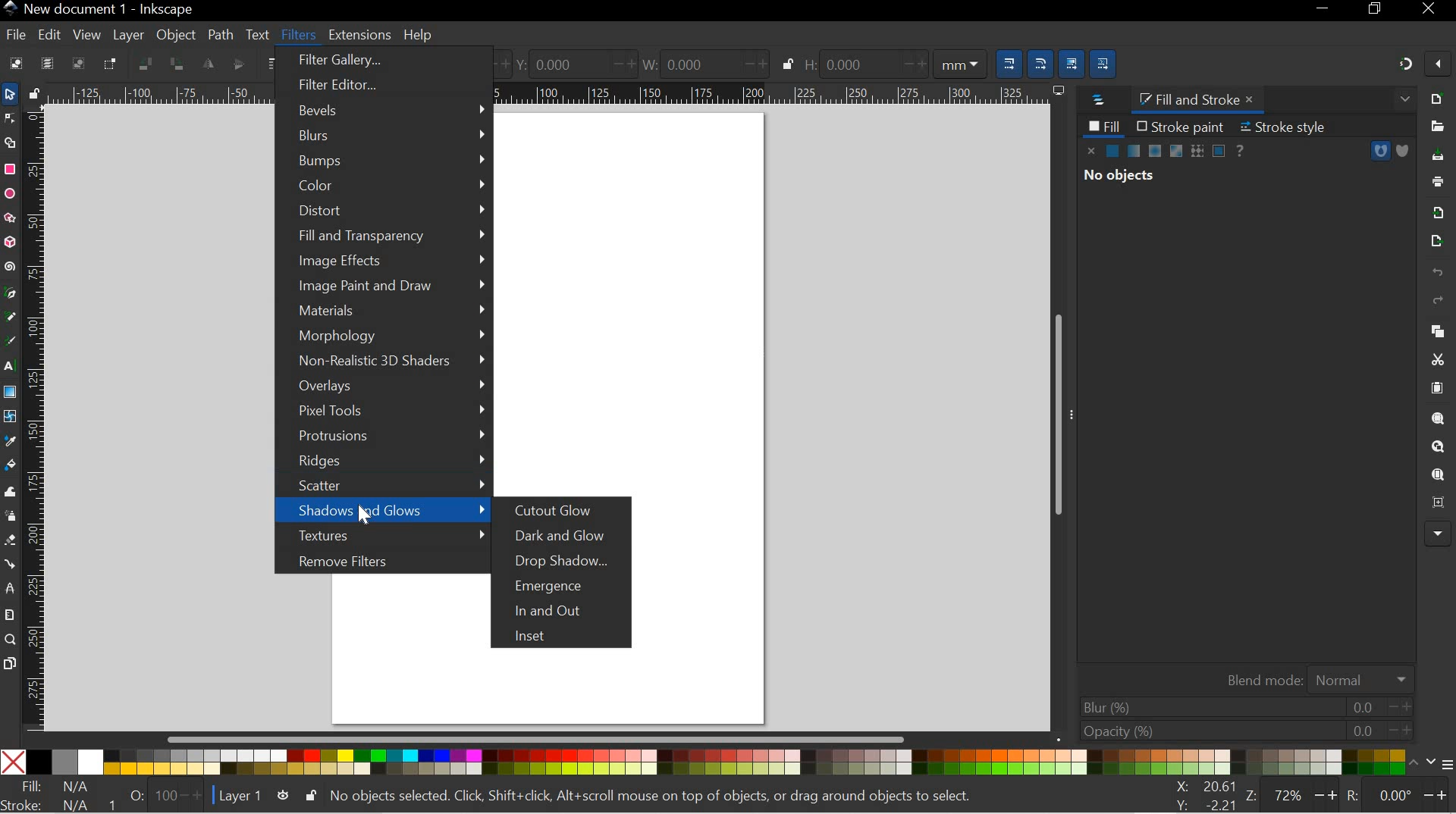  I want to click on UNDO, so click(1436, 274).